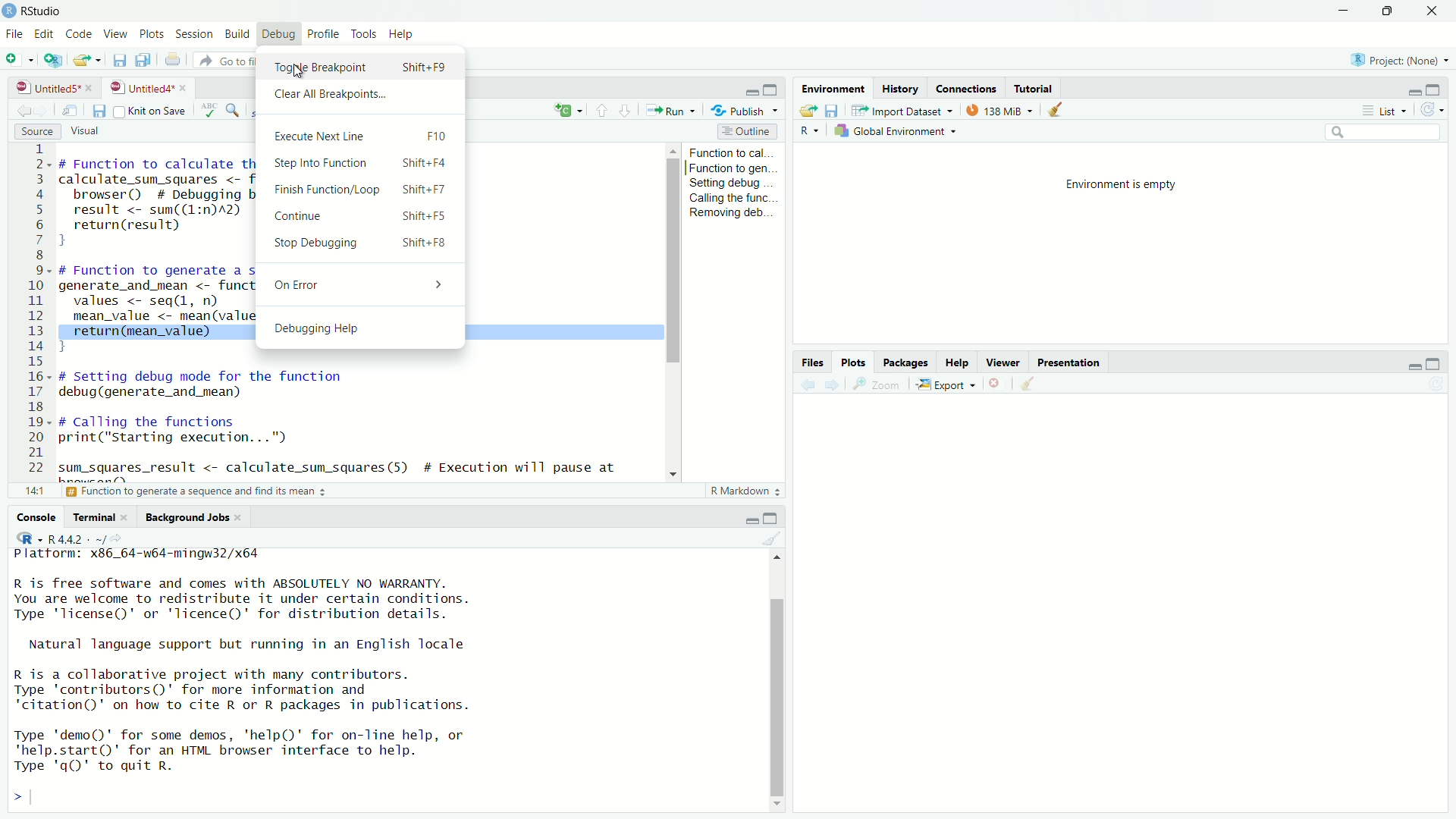 The height and width of the screenshot is (819, 1456). Describe the element at coordinates (190, 431) in the screenshot. I see `code to call the functions` at that location.